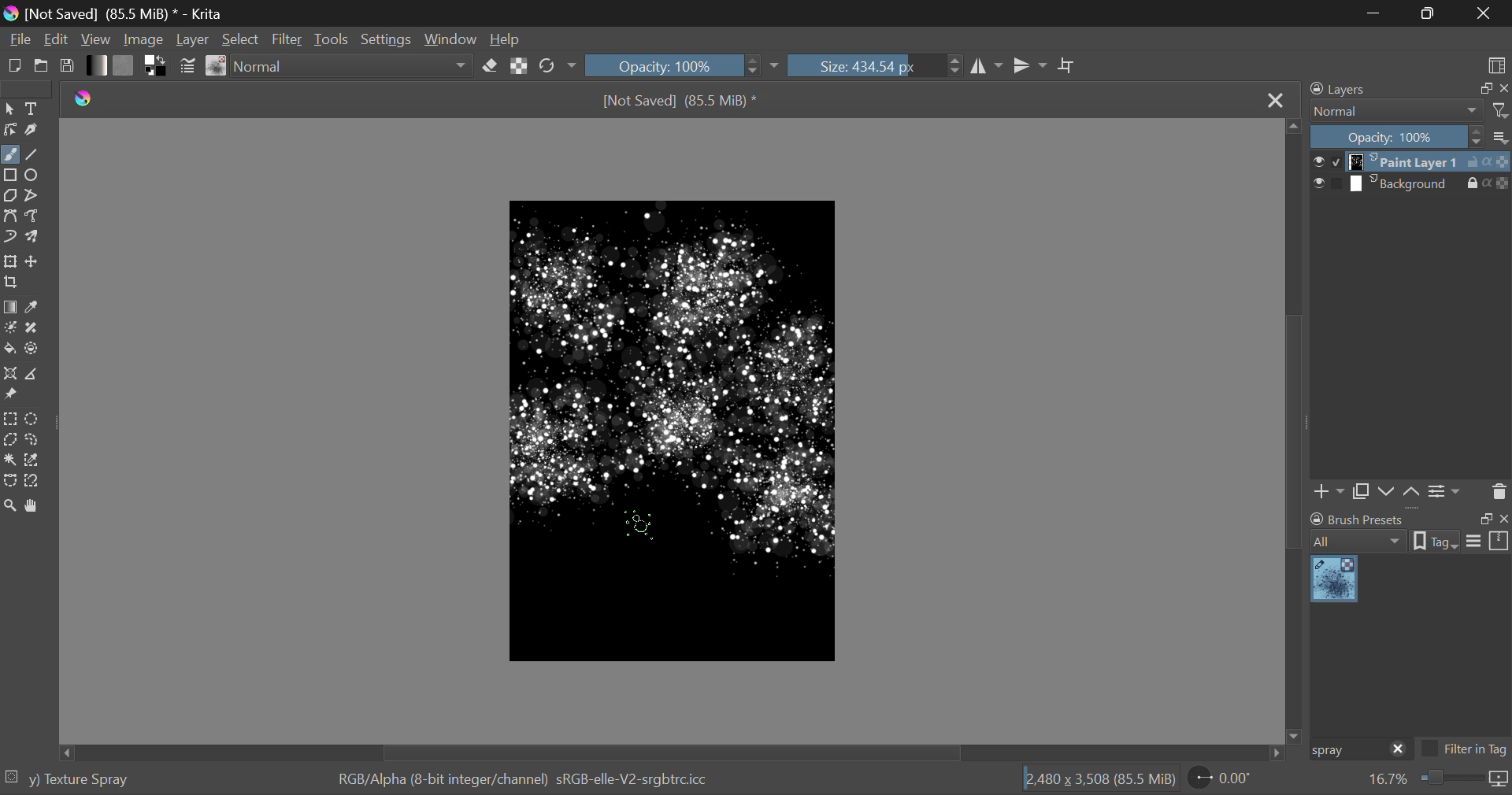 The width and height of the screenshot is (1512, 795). Describe the element at coordinates (9, 374) in the screenshot. I see `Assistant Tool` at that location.